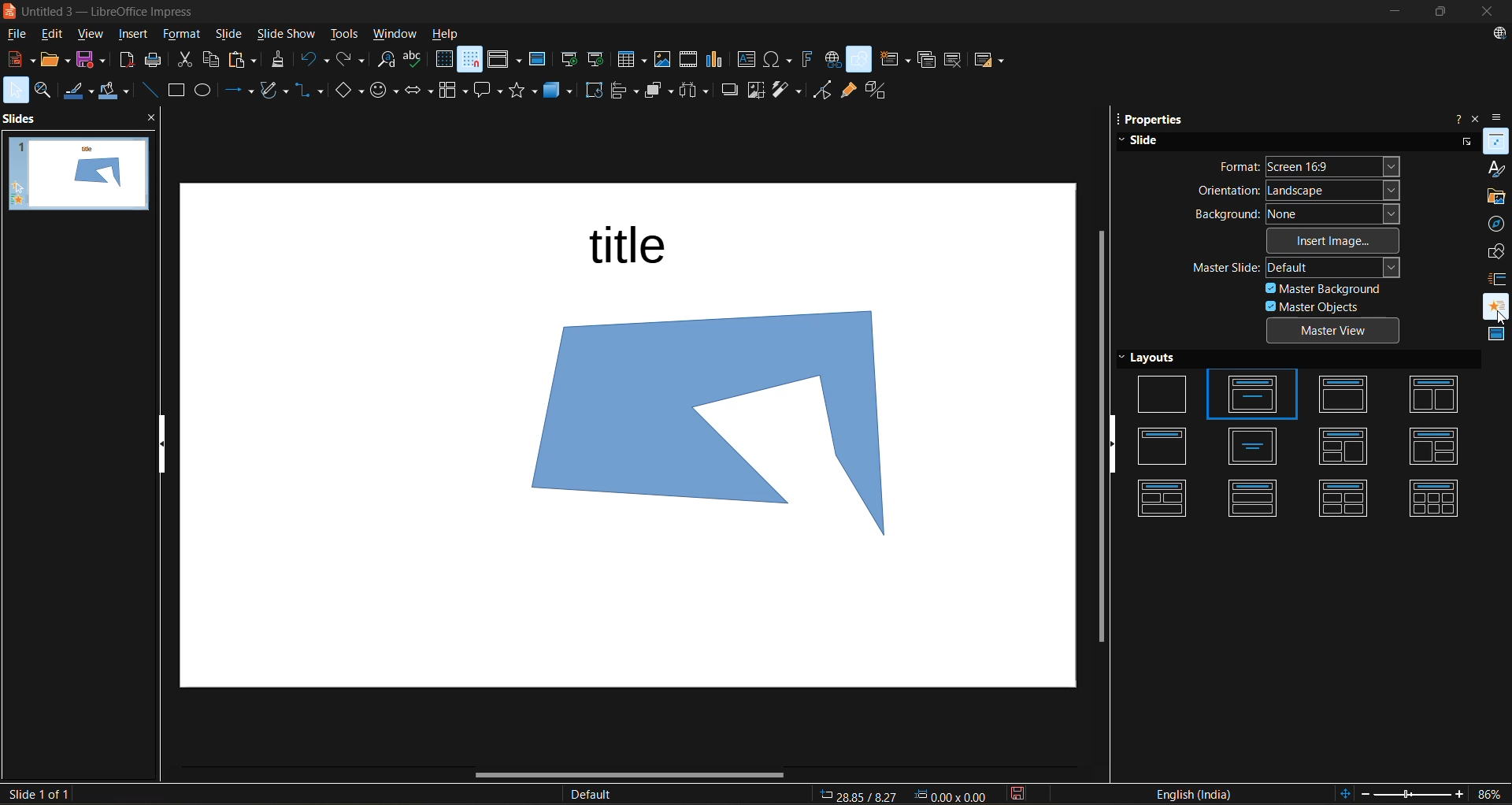 The width and height of the screenshot is (1512, 805). What do you see at coordinates (385, 93) in the screenshot?
I see `symbol shapes` at bounding box center [385, 93].